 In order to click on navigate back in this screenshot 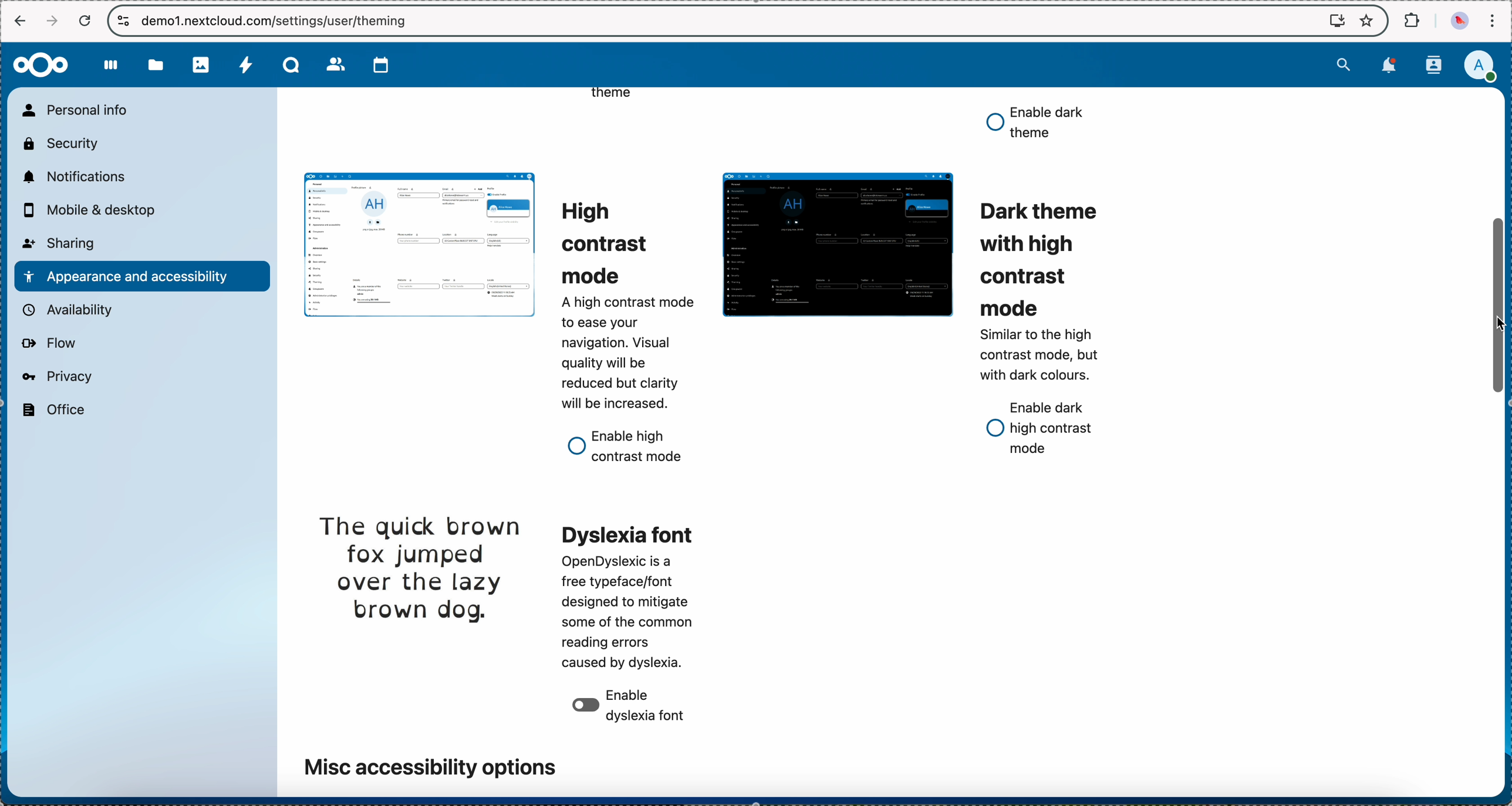, I will do `click(20, 20)`.